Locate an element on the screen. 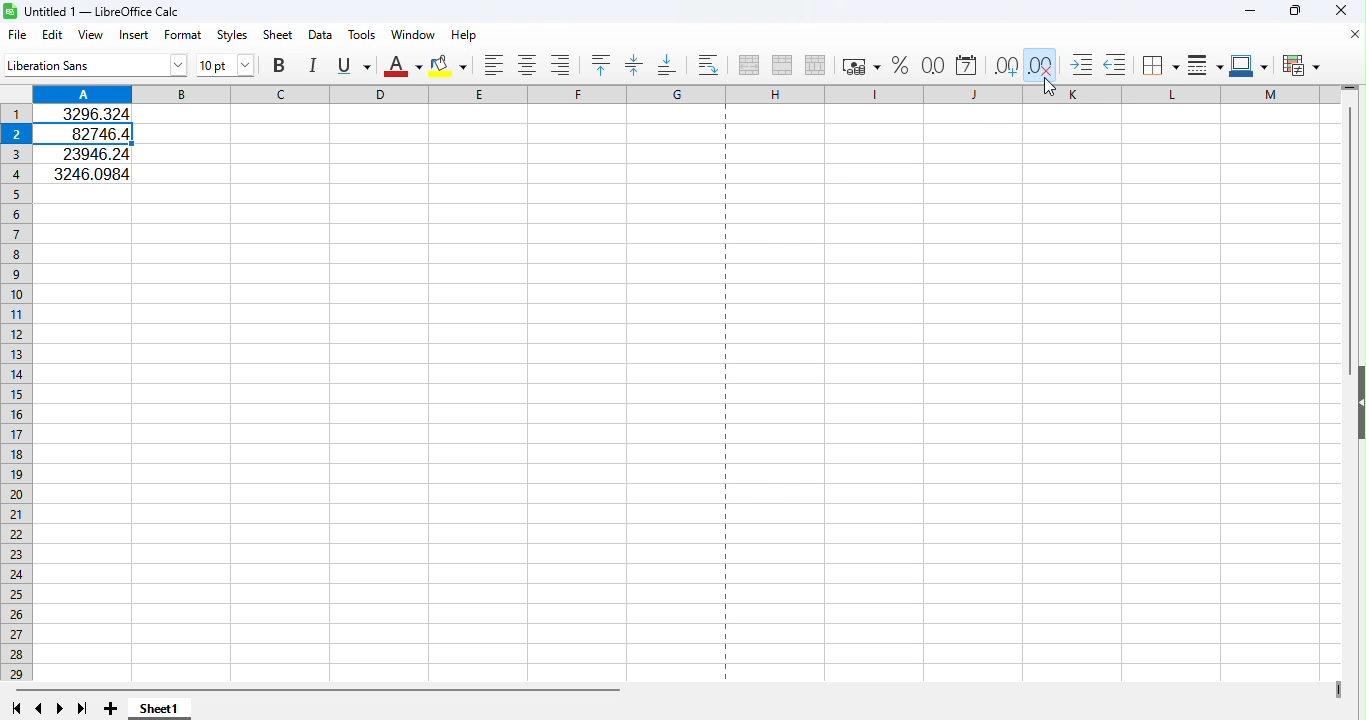 The width and height of the screenshot is (1366, 720). Format is located at coordinates (184, 35).